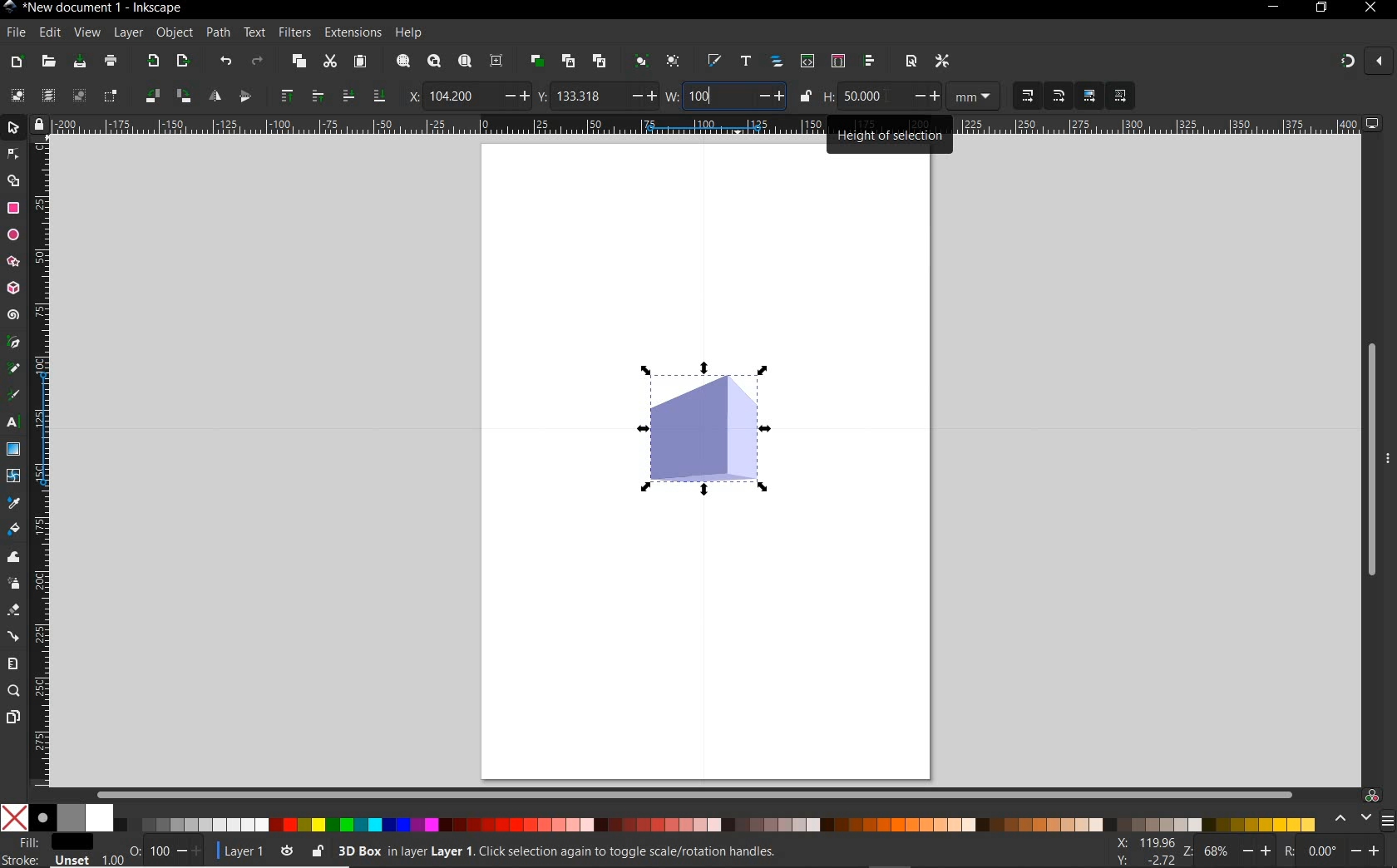  I want to click on gradient tool, so click(13, 449).